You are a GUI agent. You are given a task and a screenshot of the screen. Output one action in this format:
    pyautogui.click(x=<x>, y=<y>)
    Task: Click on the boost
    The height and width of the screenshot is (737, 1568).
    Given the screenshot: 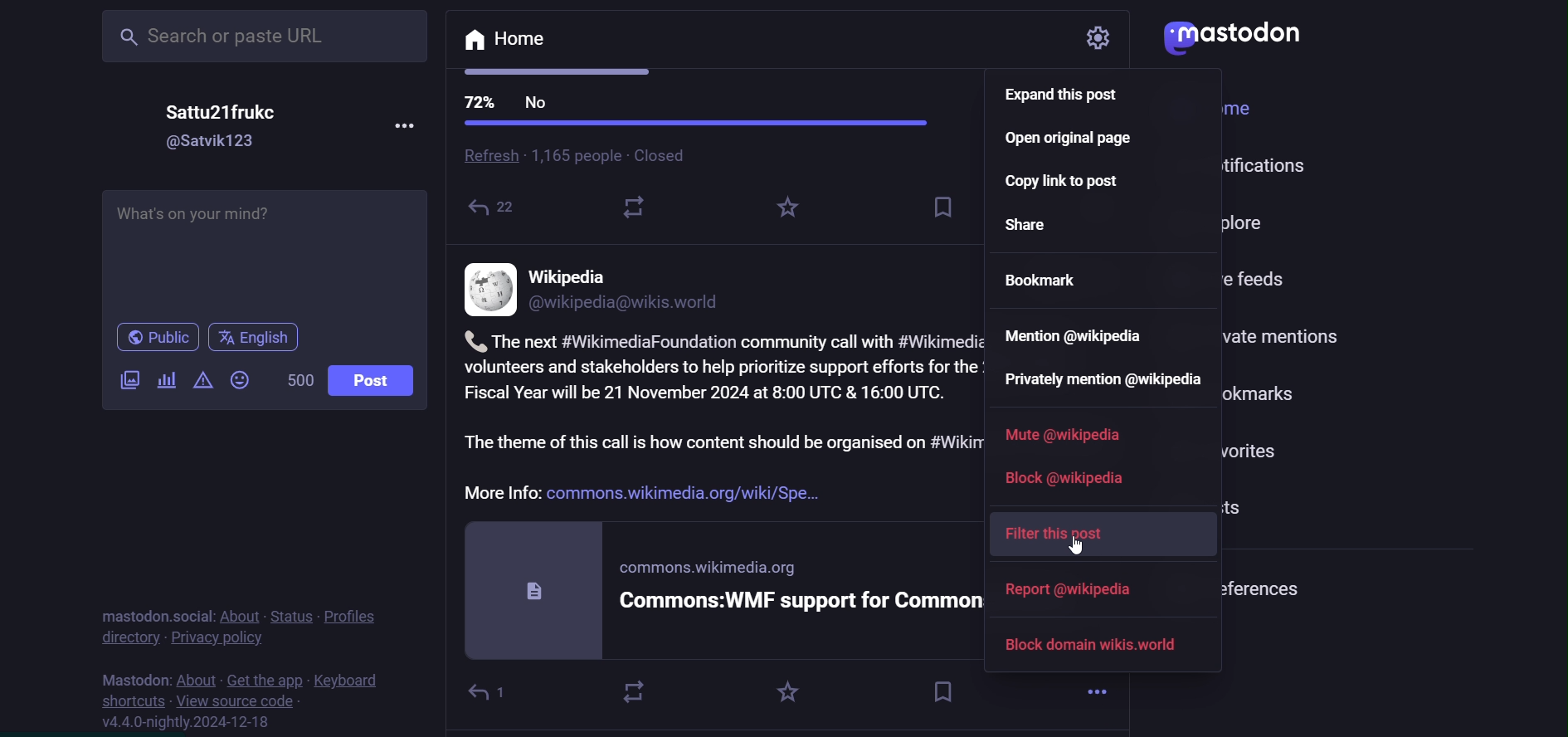 What is the action you would take?
    pyautogui.click(x=633, y=691)
    